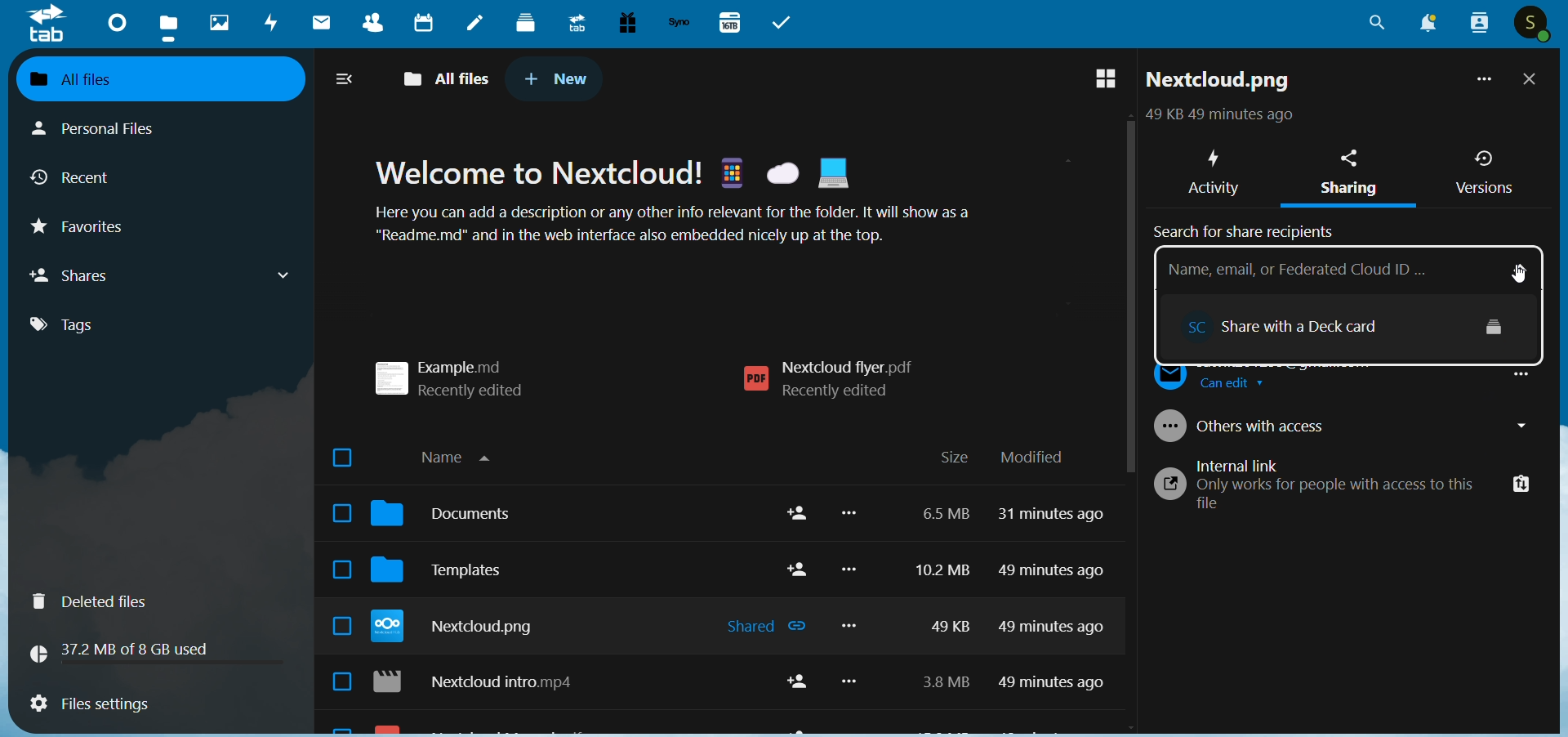 This screenshot has height=737, width=1568. I want to click on logo, so click(47, 25).